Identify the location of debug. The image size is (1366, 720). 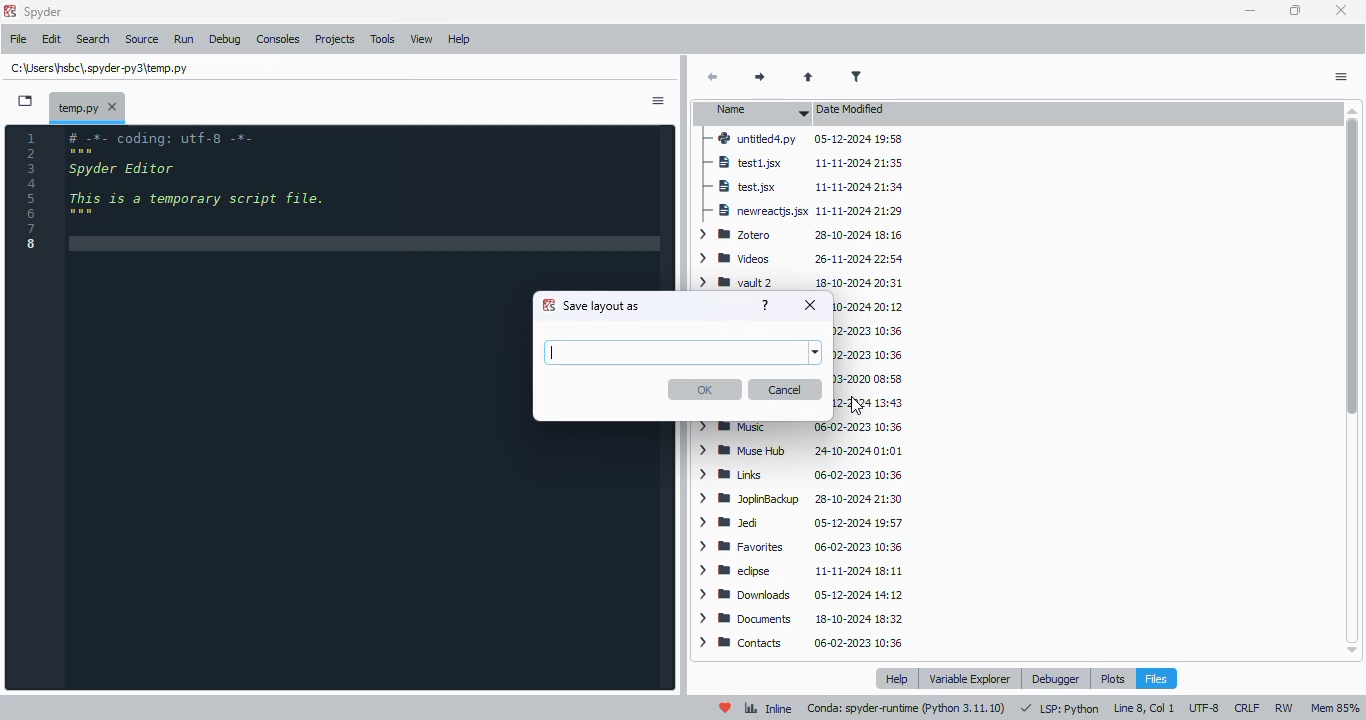
(226, 40).